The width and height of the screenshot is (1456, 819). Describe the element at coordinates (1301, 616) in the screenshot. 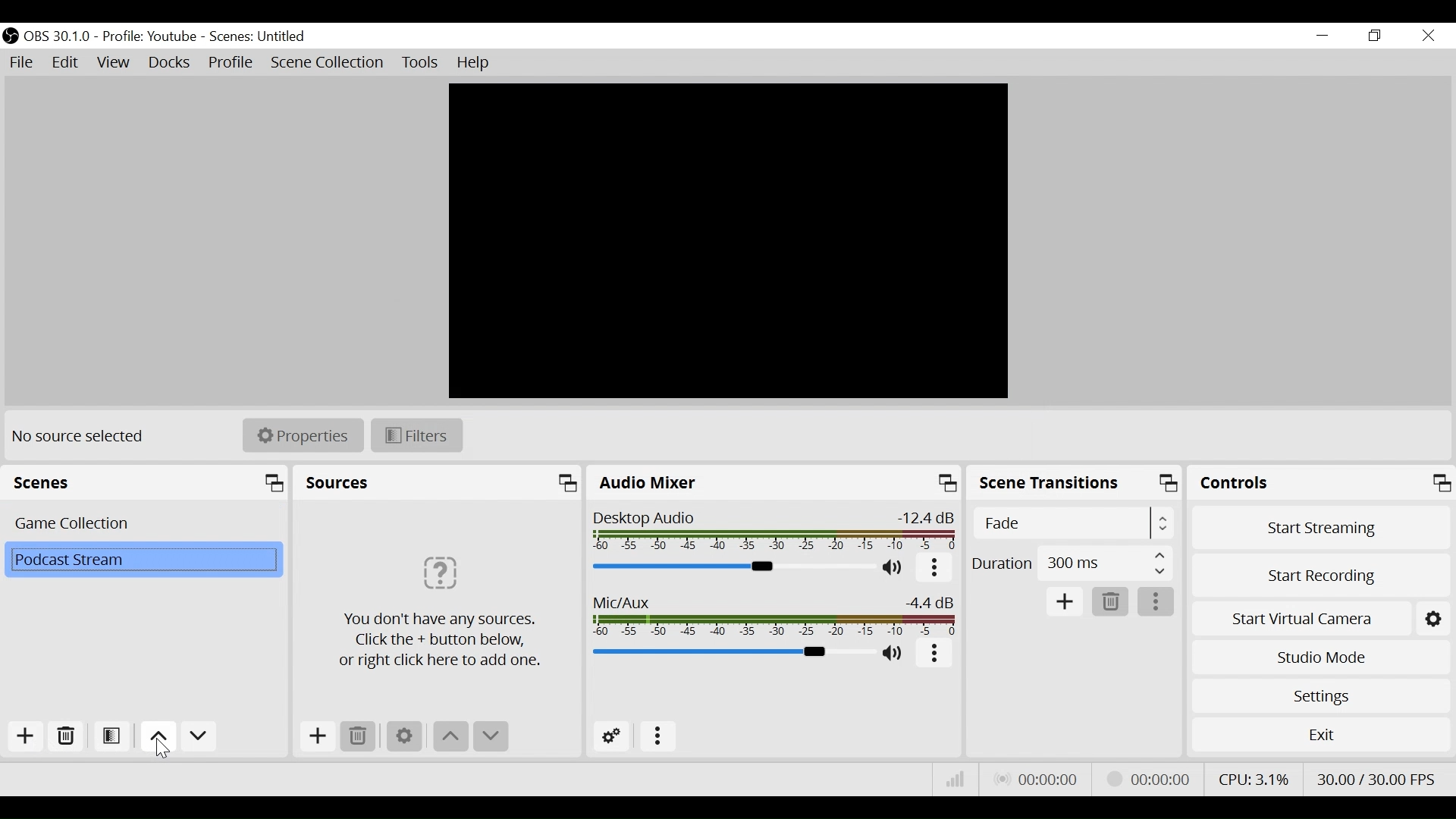

I see `Start Virtual Camera` at that location.